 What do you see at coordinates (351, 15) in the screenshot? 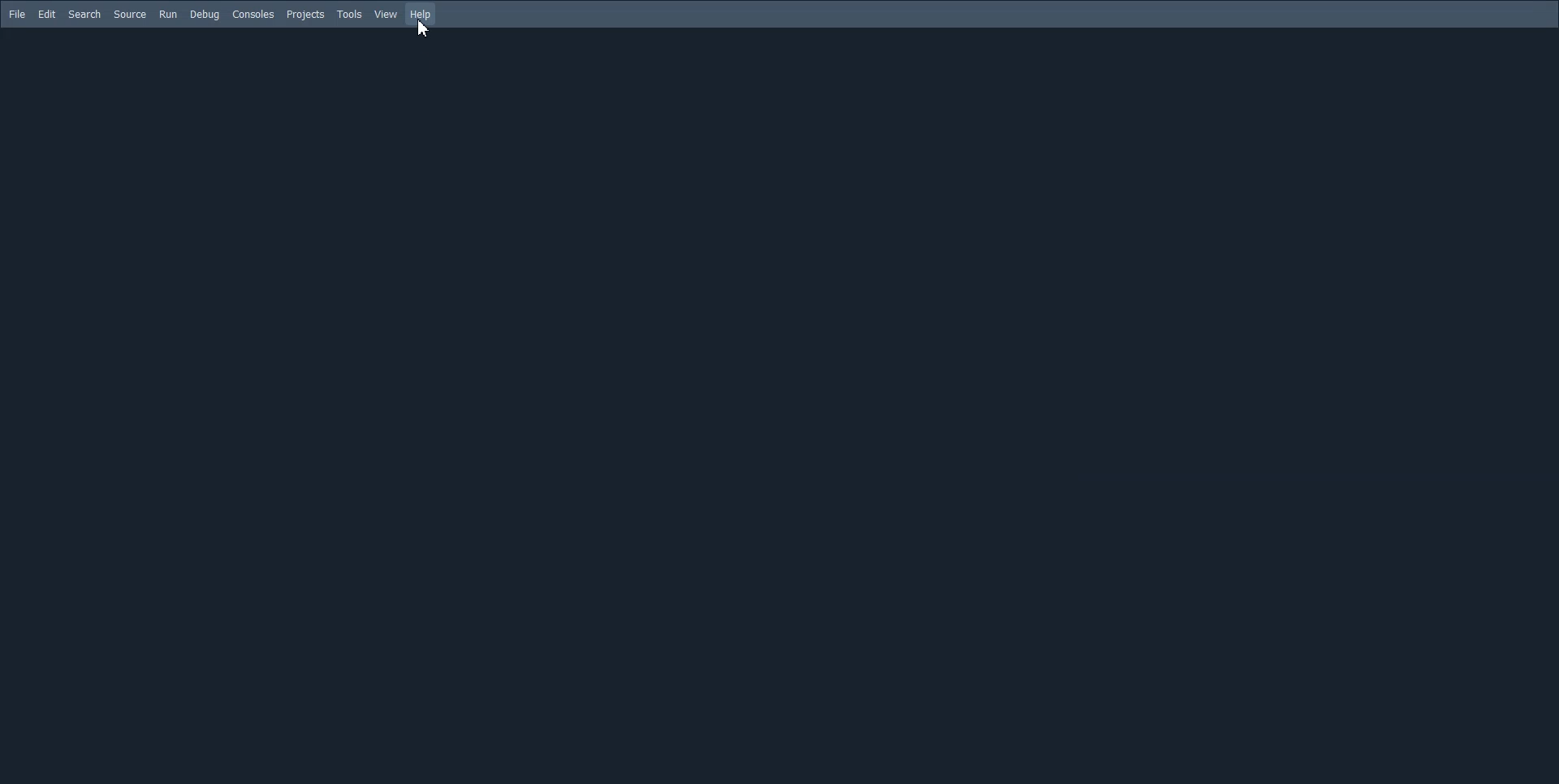
I see `Tools` at bounding box center [351, 15].